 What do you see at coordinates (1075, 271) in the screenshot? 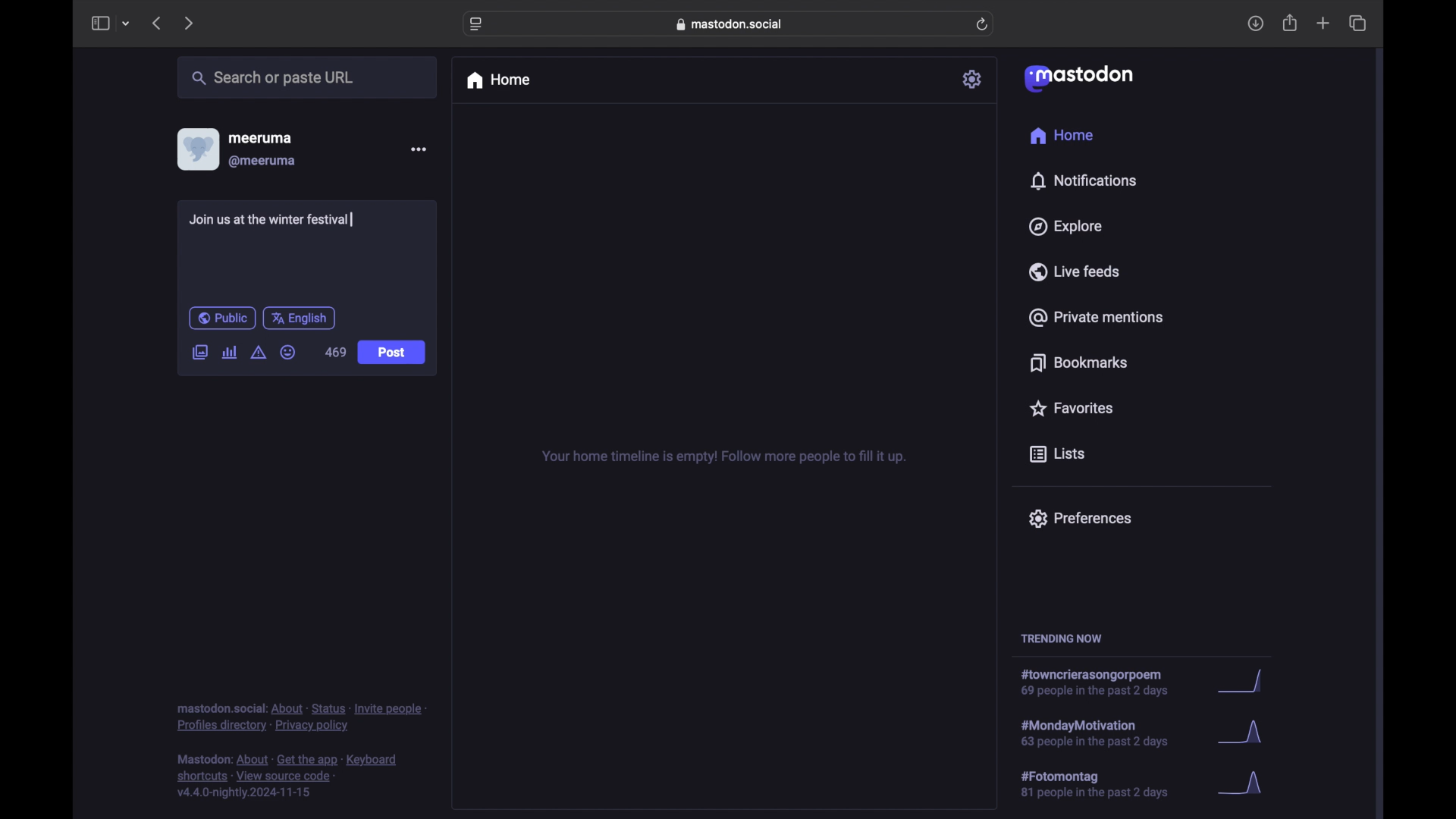
I see `live feeds` at bounding box center [1075, 271].